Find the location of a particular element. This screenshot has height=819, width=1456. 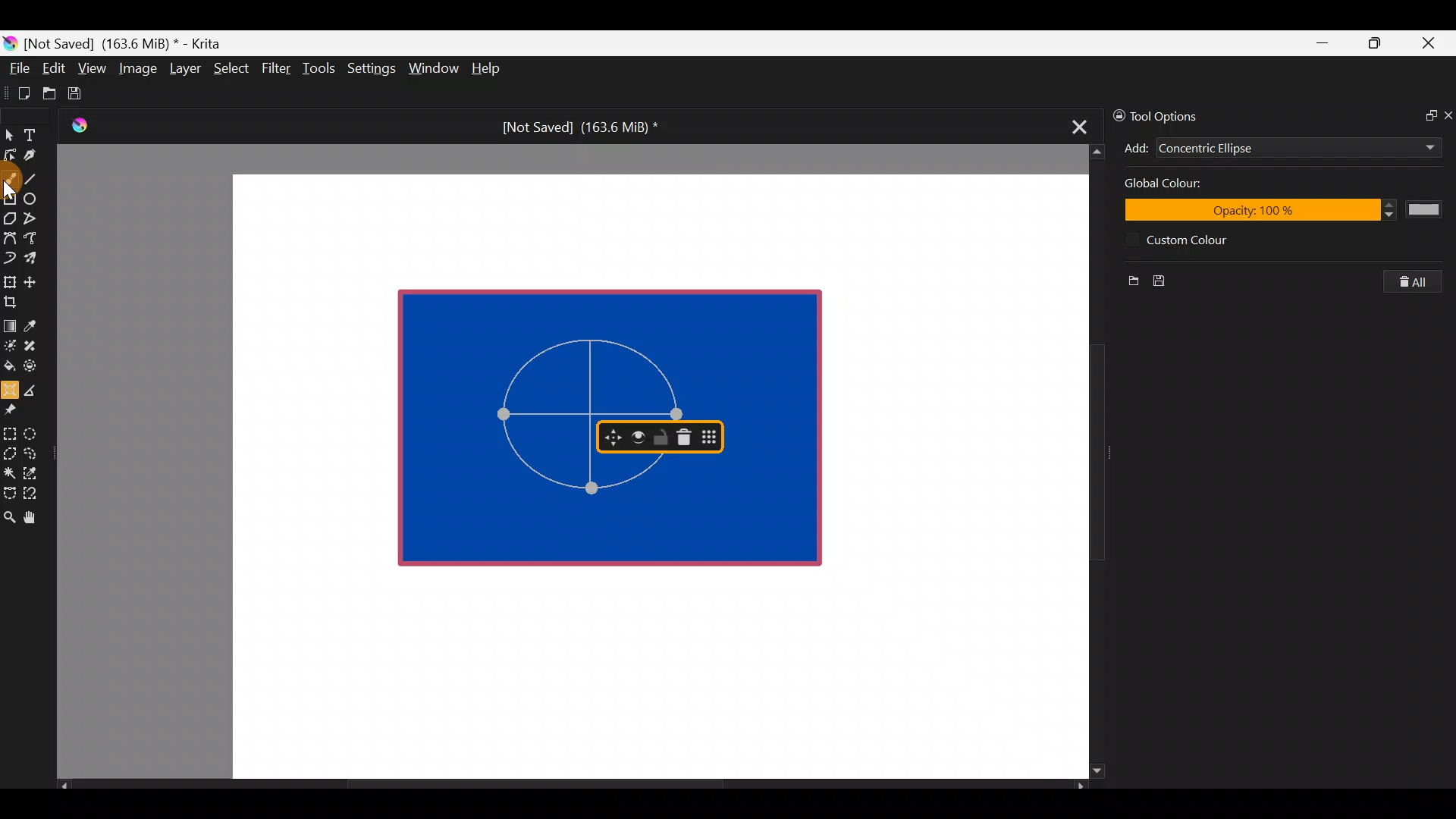

Edit is located at coordinates (53, 71).